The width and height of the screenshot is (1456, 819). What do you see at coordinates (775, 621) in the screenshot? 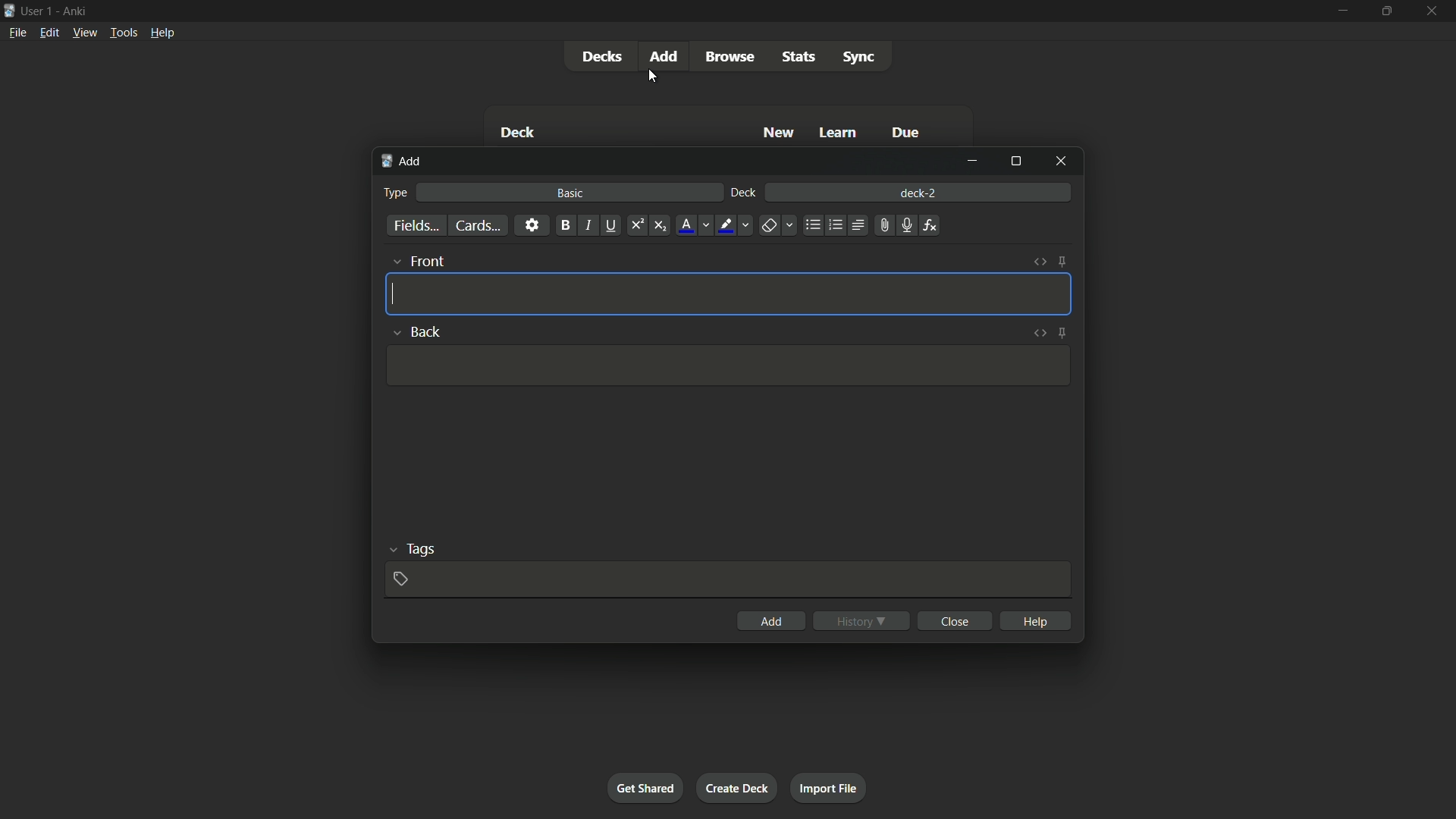
I see `add` at bounding box center [775, 621].